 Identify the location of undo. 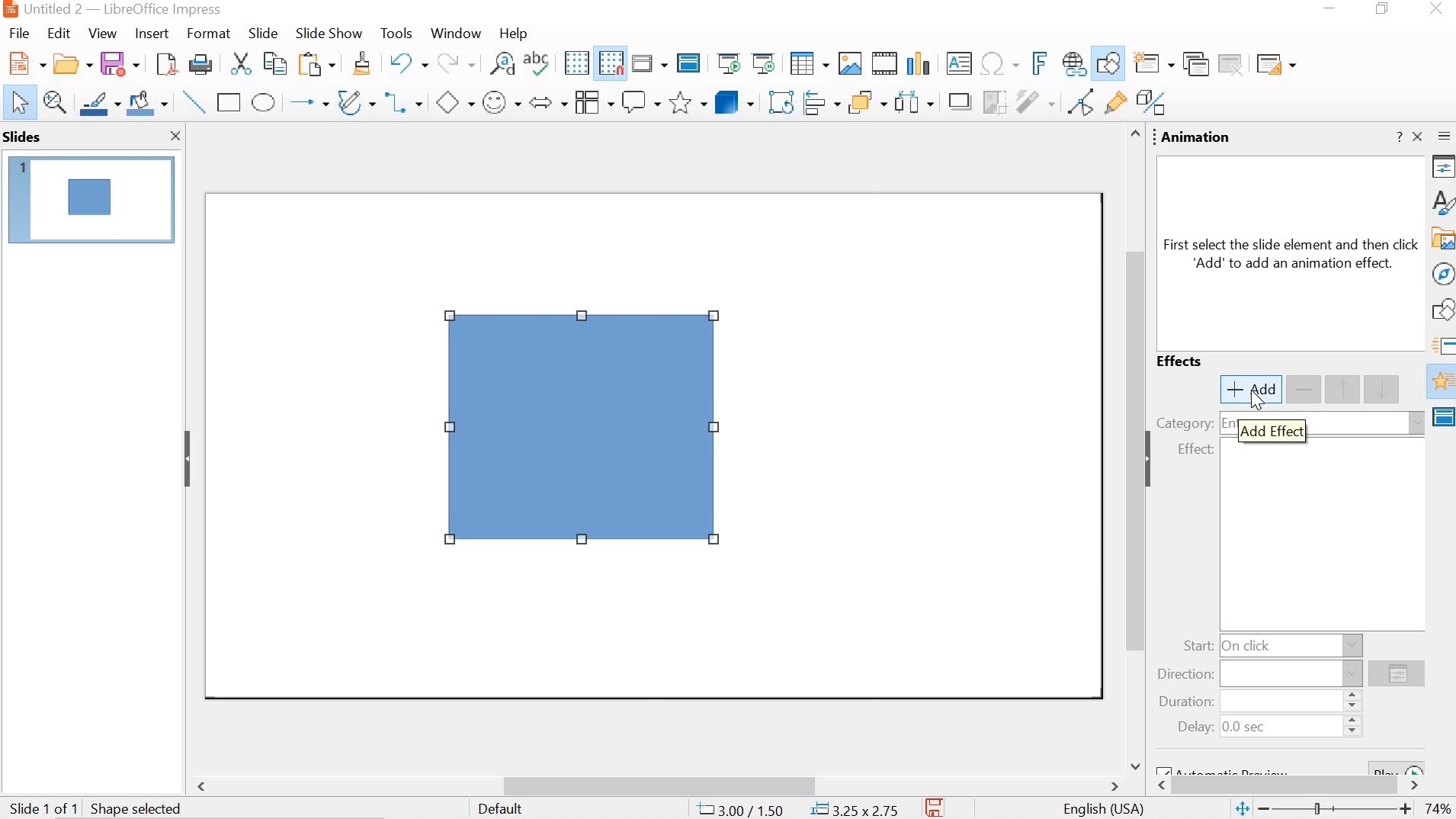
(409, 63).